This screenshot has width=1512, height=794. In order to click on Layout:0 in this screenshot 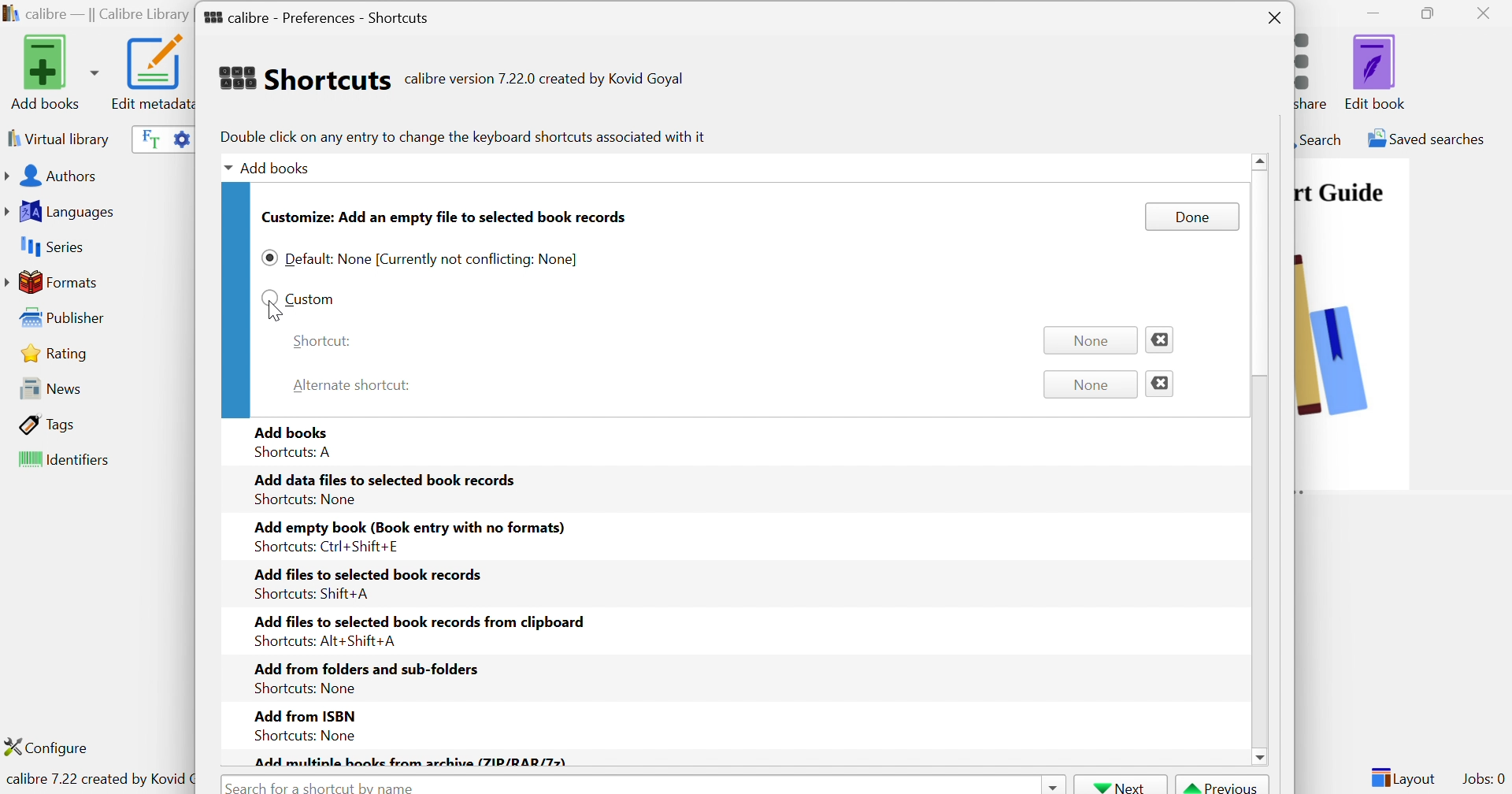, I will do `click(1403, 777)`.